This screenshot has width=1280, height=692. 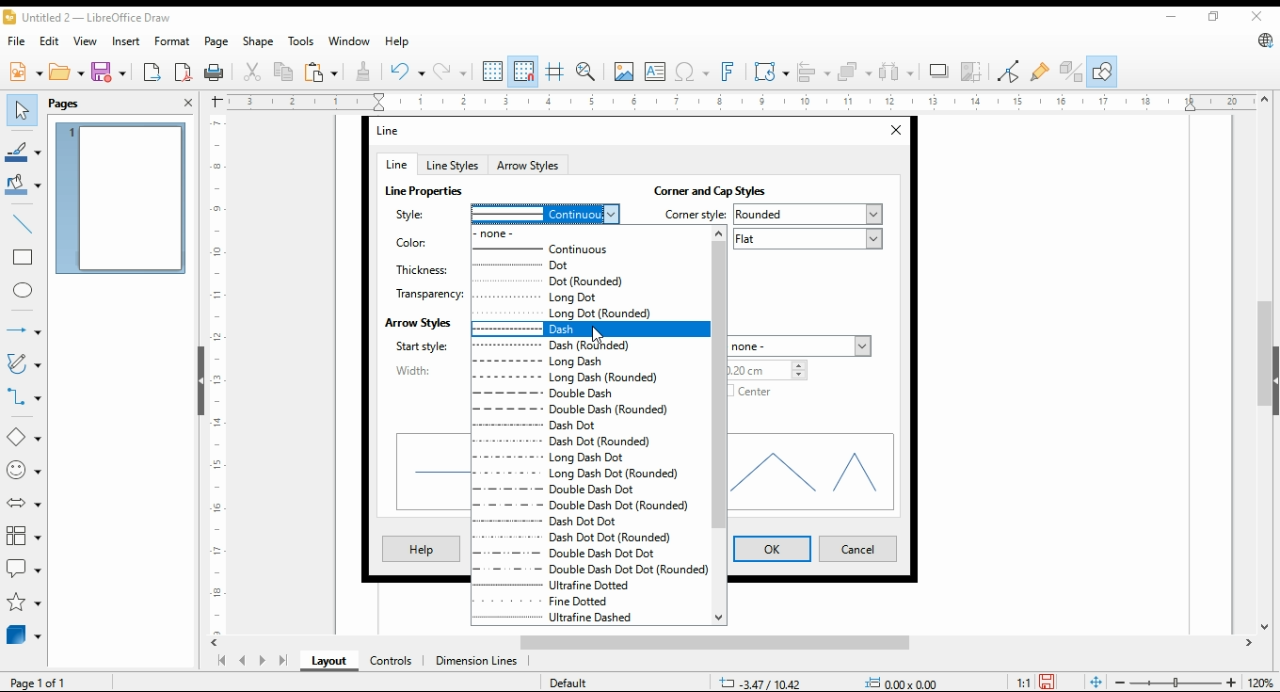 What do you see at coordinates (852, 70) in the screenshot?
I see `arrange` at bounding box center [852, 70].